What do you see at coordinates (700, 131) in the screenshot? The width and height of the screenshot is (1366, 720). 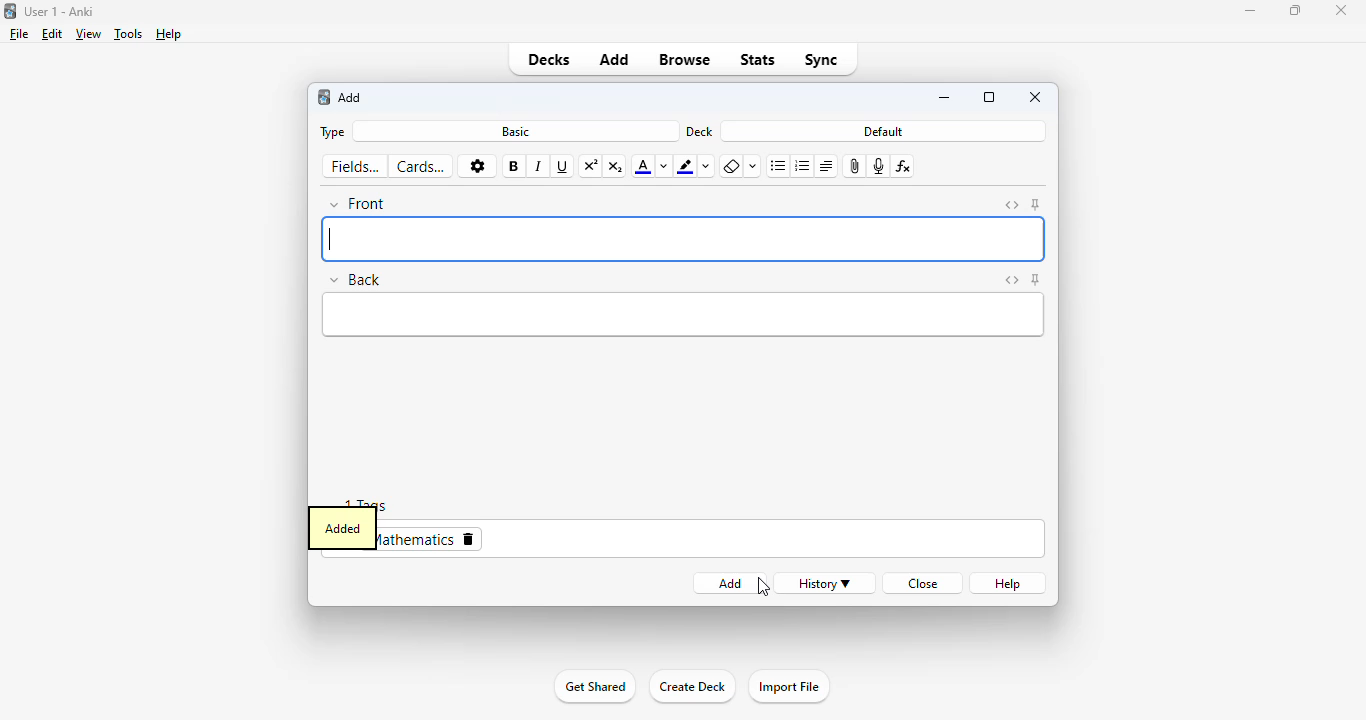 I see `deck` at bounding box center [700, 131].